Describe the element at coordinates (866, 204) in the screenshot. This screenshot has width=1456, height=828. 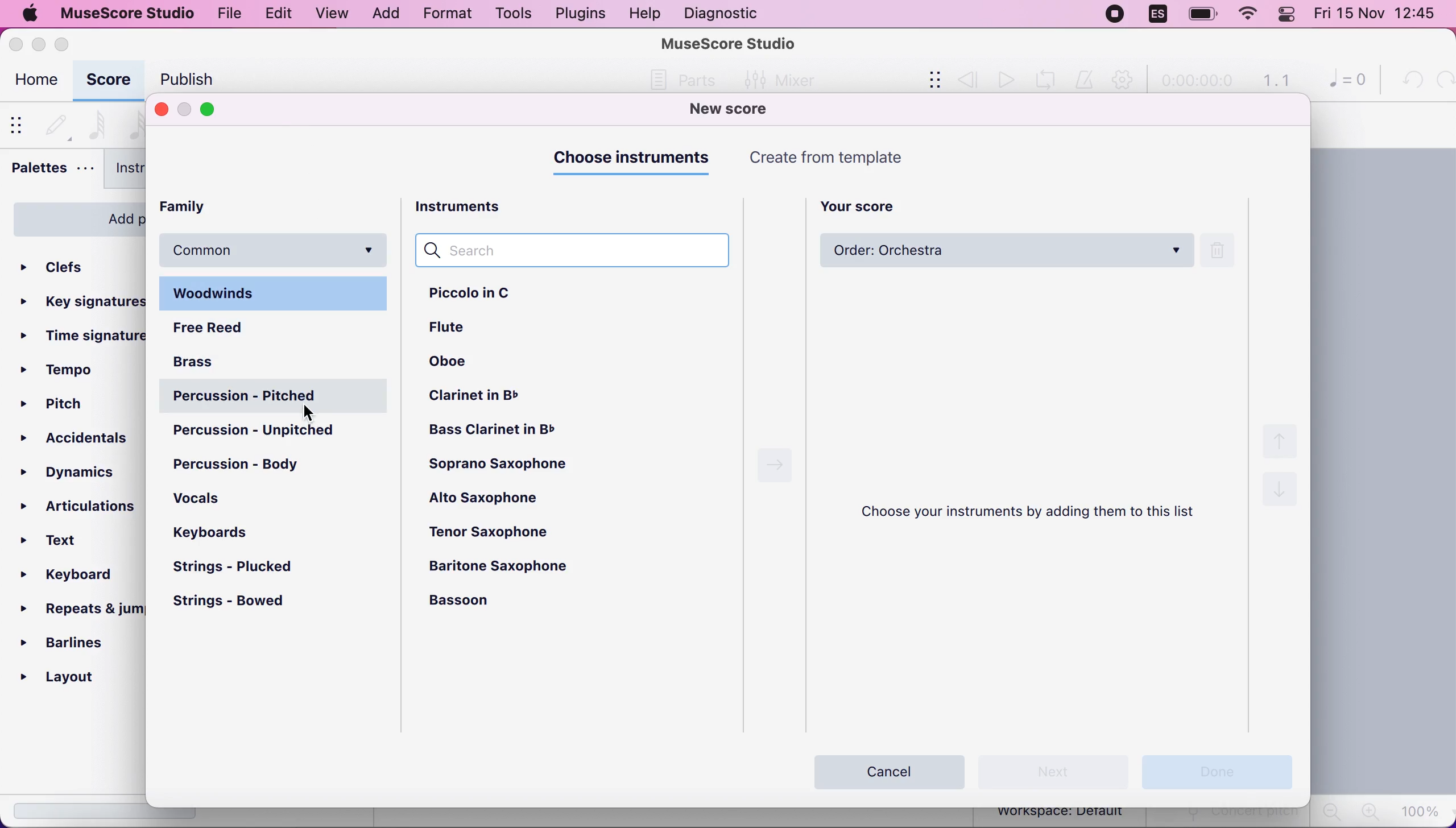
I see `your score` at that location.